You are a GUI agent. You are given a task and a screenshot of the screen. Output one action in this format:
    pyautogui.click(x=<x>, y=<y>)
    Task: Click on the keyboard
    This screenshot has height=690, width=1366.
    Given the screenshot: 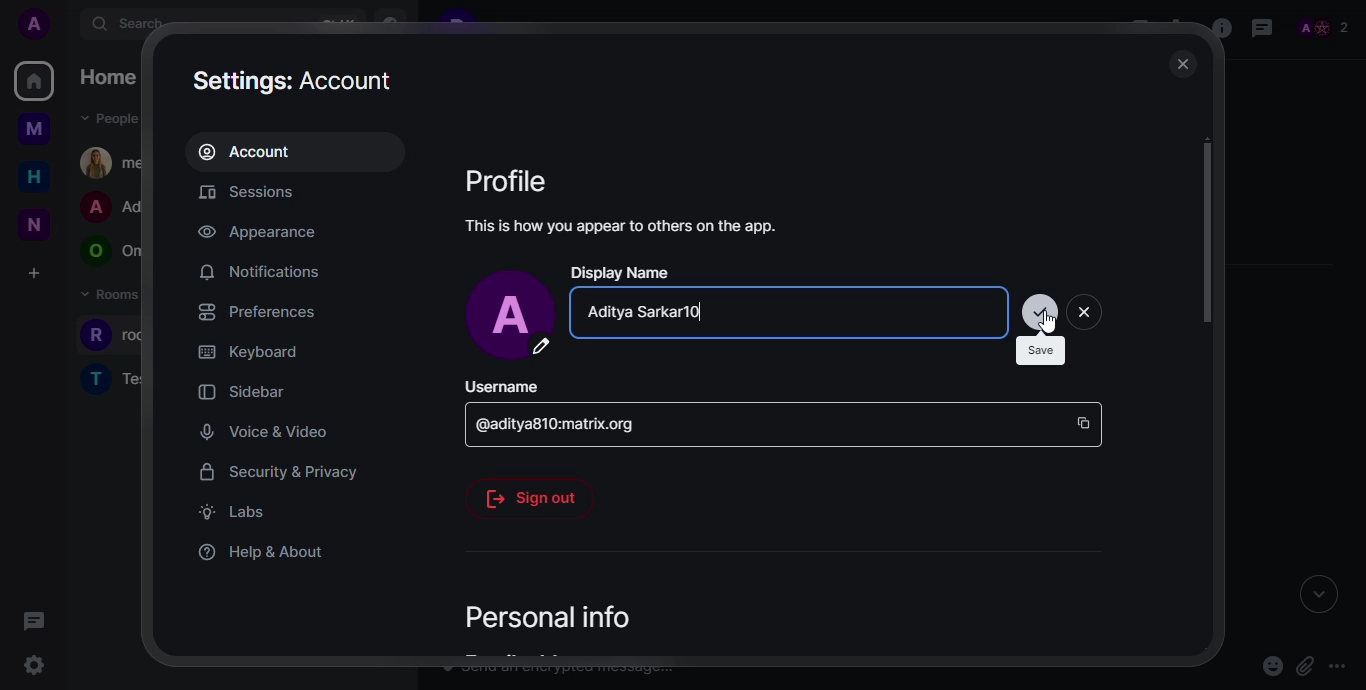 What is the action you would take?
    pyautogui.click(x=248, y=350)
    